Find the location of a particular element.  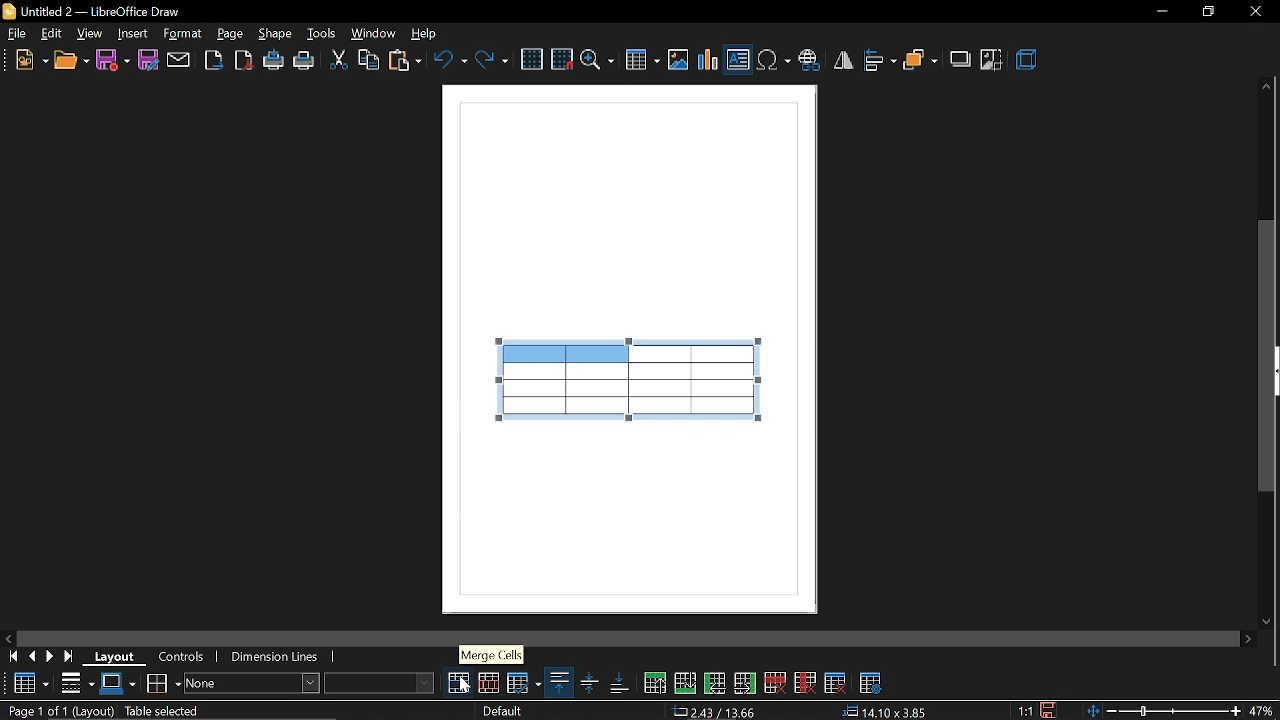

insert column before is located at coordinates (715, 683).